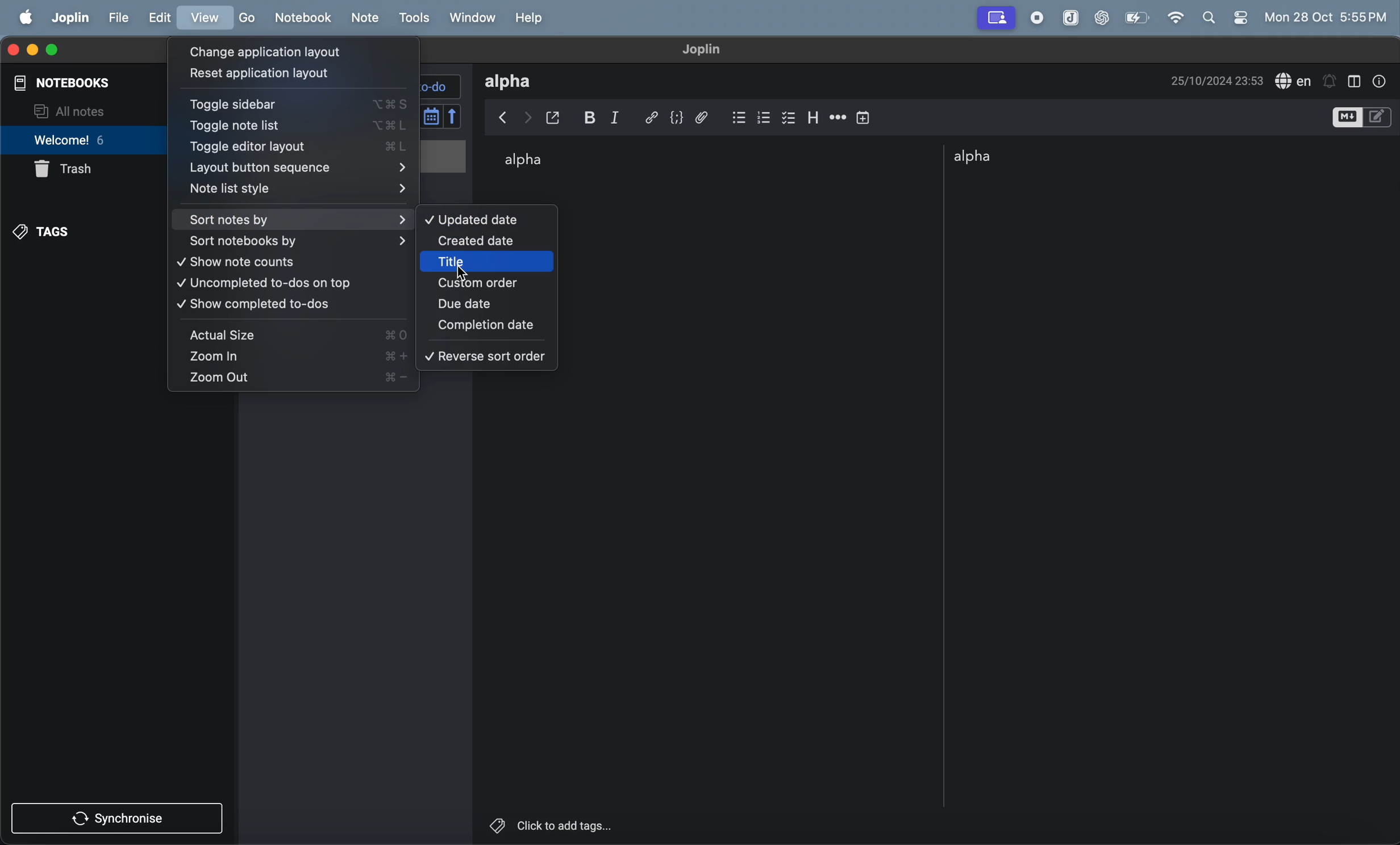  I want to click on alpha note, so click(534, 162).